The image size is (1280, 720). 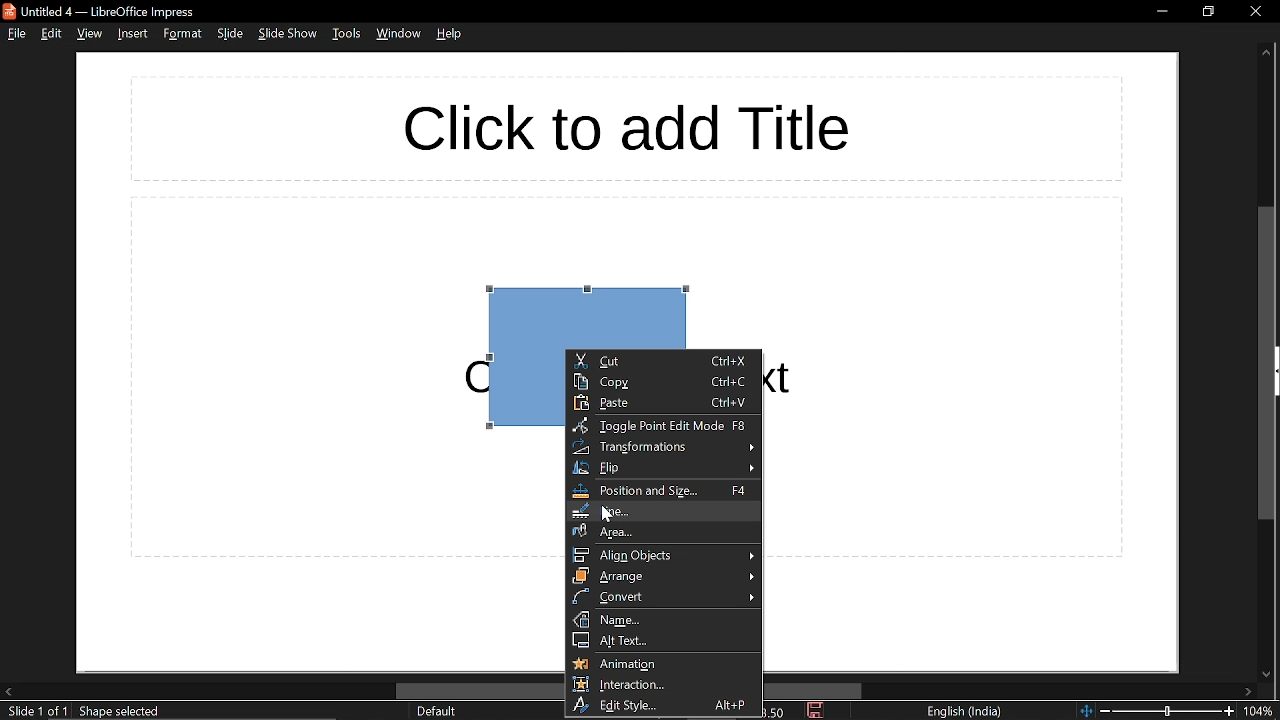 I want to click on page style, so click(x=436, y=711).